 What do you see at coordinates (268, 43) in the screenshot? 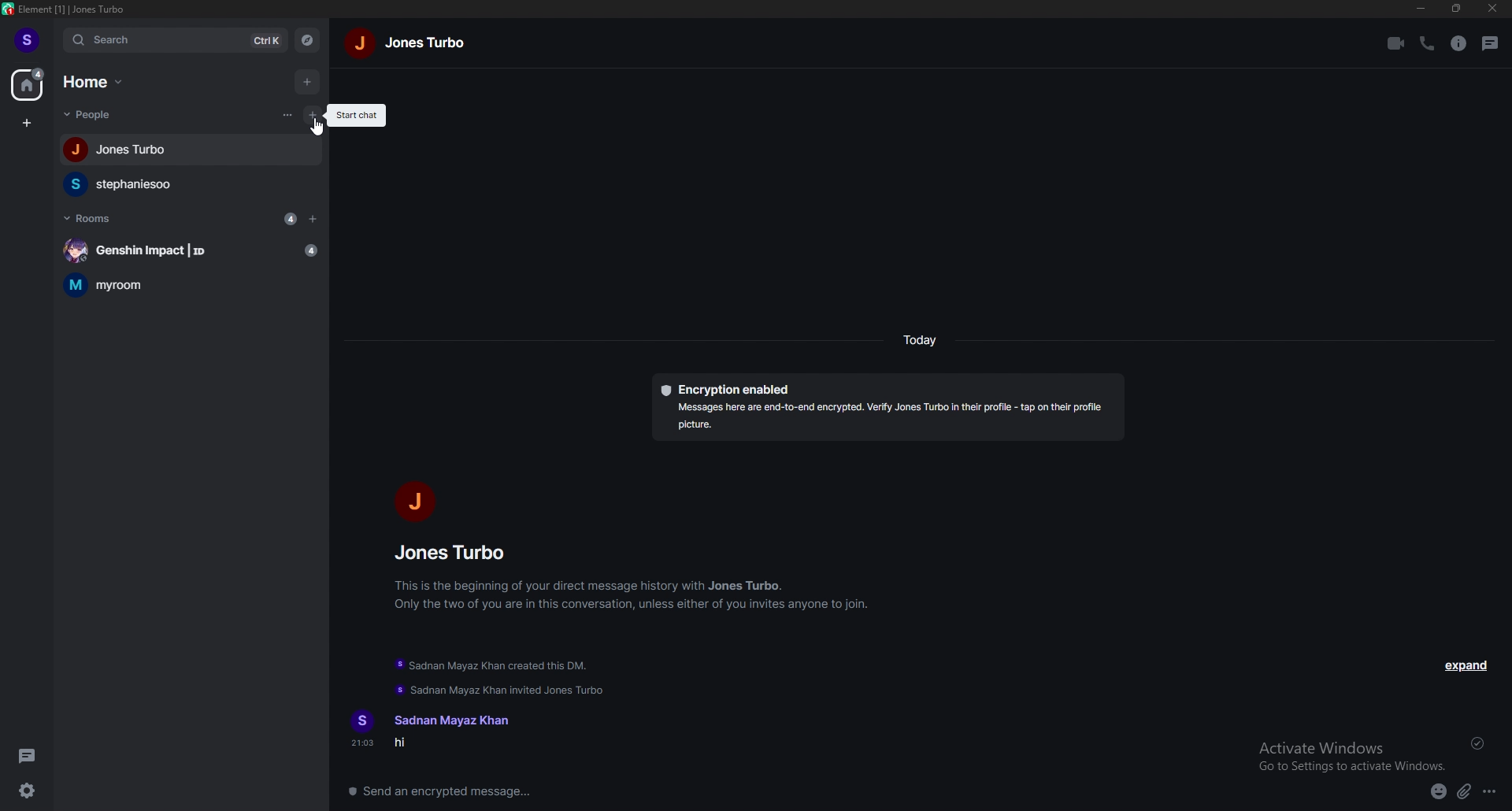
I see `ctrl k` at bounding box center [268, 43].